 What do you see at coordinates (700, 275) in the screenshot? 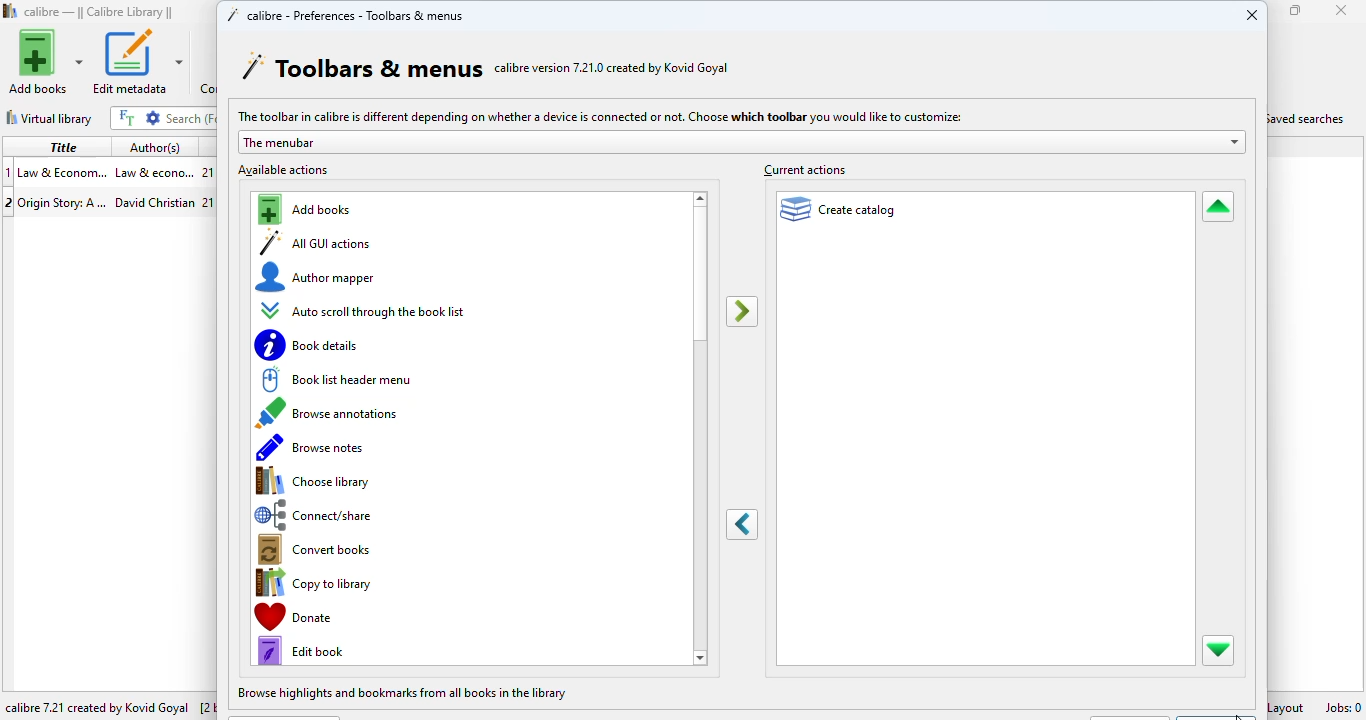
I see `vertical scroll bar` at bounding box center [700, 275].